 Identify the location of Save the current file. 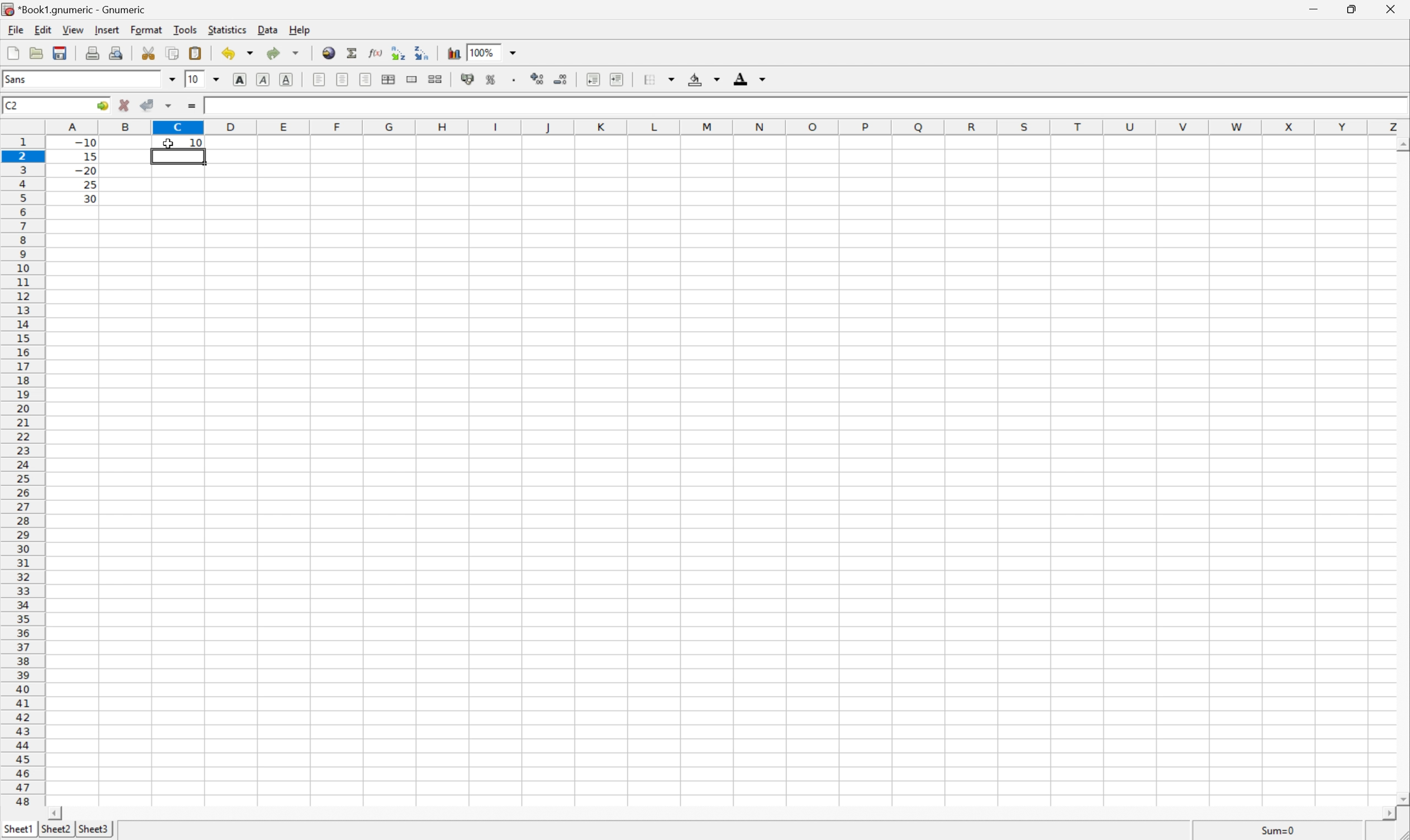
(61, 52).